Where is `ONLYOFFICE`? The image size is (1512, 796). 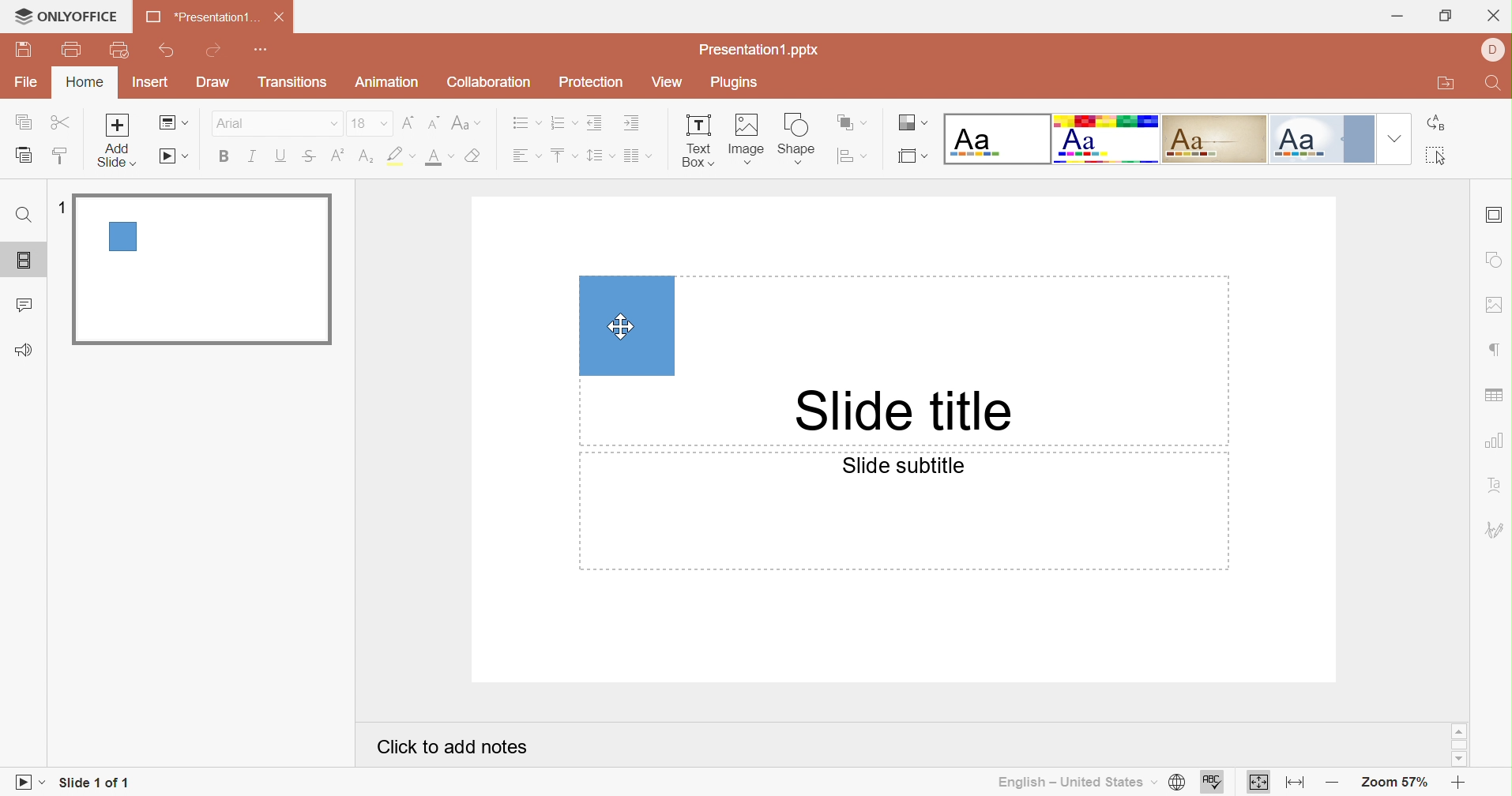 ONLYOFFICE is located at coordinates (66, 14).